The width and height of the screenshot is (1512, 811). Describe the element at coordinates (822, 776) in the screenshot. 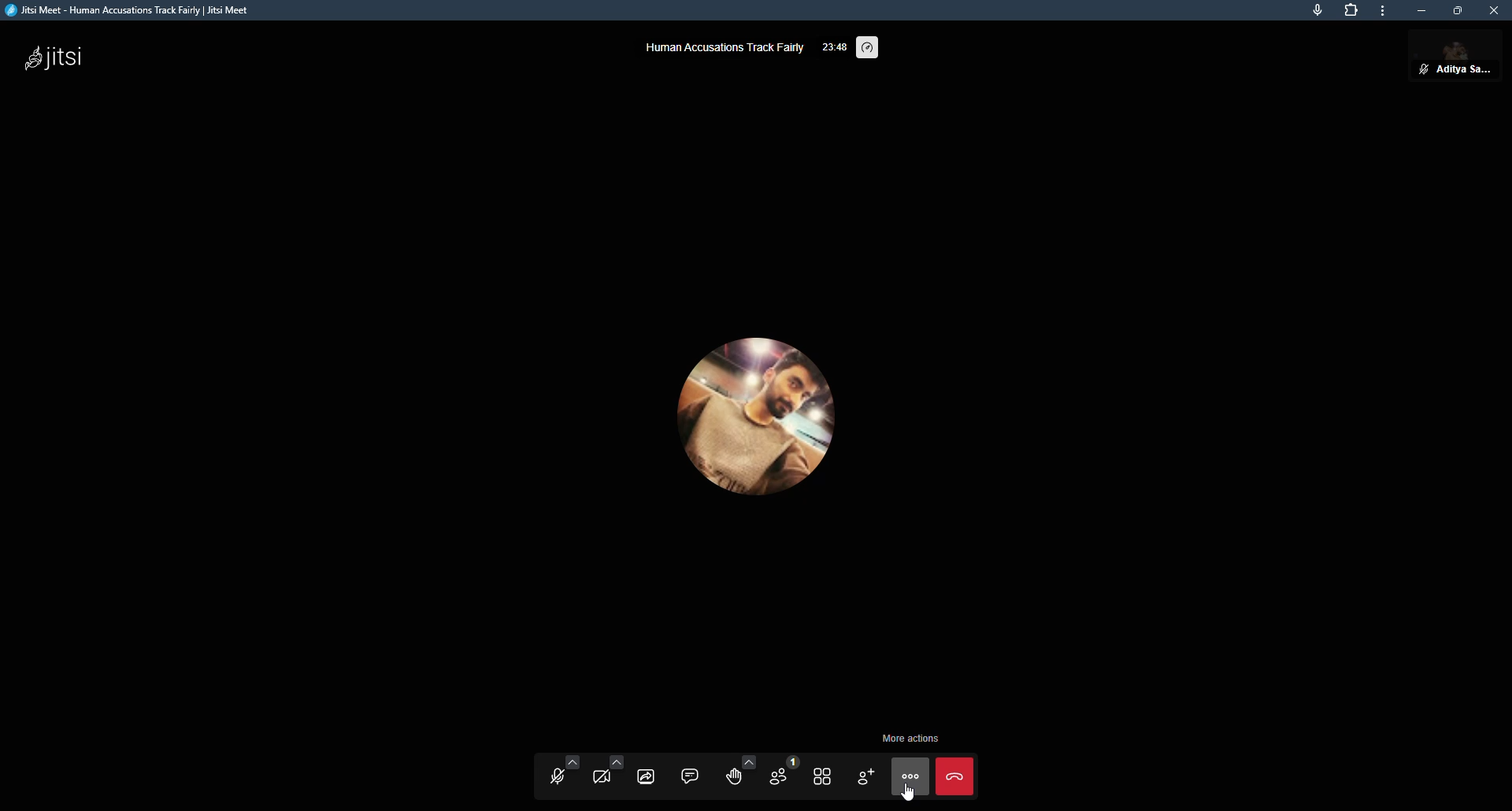

I see `toggle tile view` at that location.